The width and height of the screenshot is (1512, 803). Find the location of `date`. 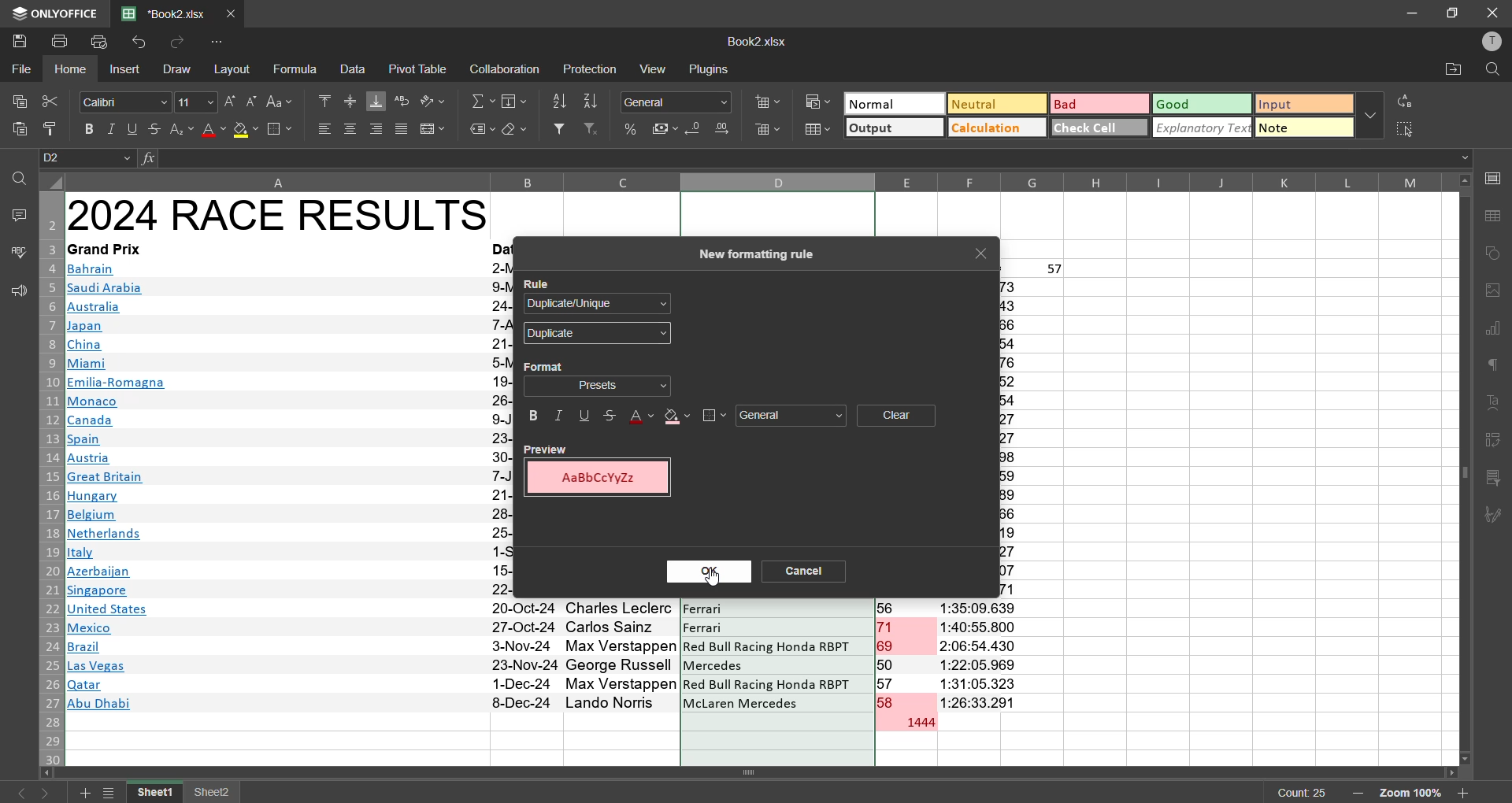

date is located at coordinates (524, 656).